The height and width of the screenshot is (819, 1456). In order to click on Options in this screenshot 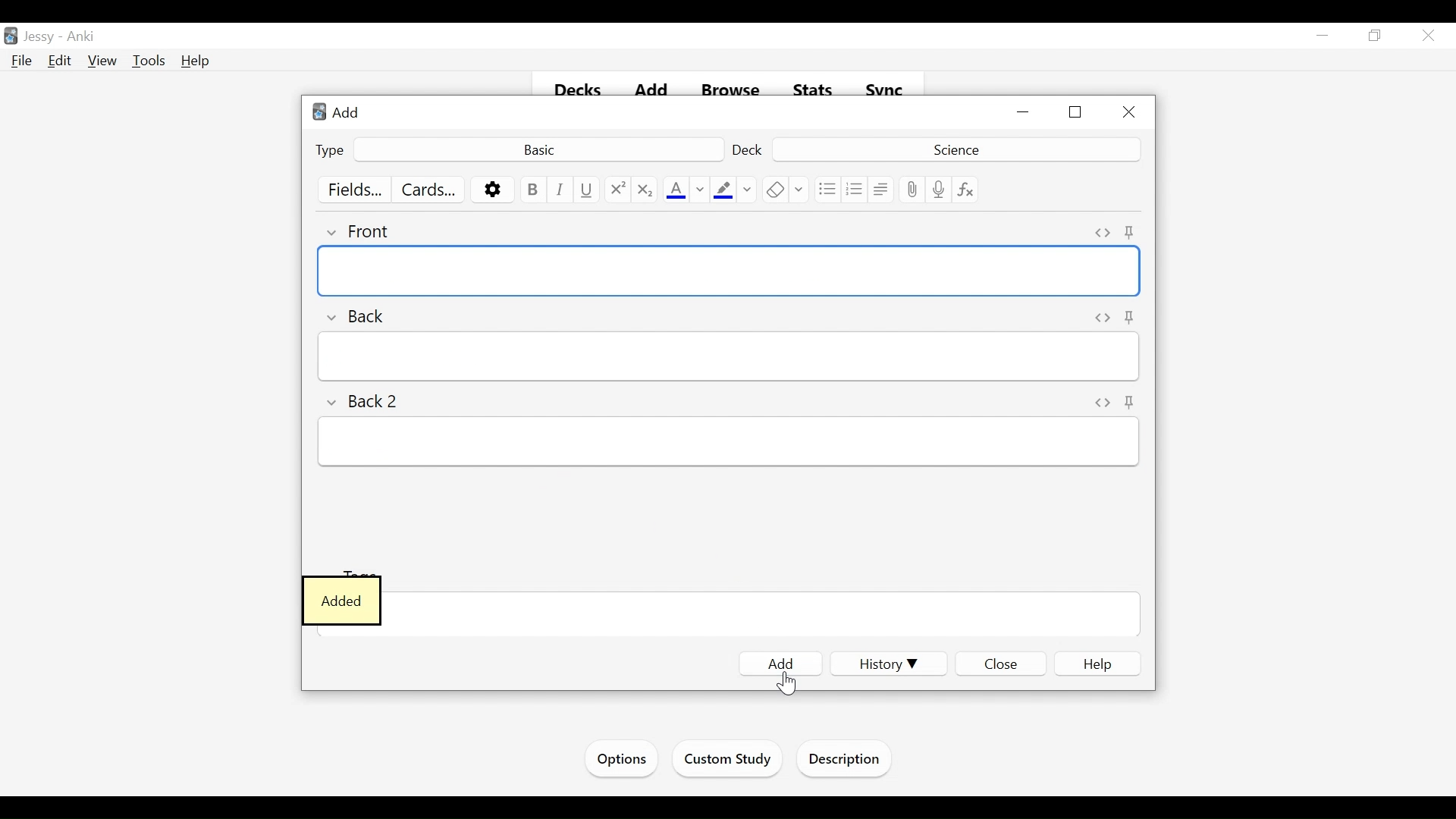, I will do `click(620, 759)`.